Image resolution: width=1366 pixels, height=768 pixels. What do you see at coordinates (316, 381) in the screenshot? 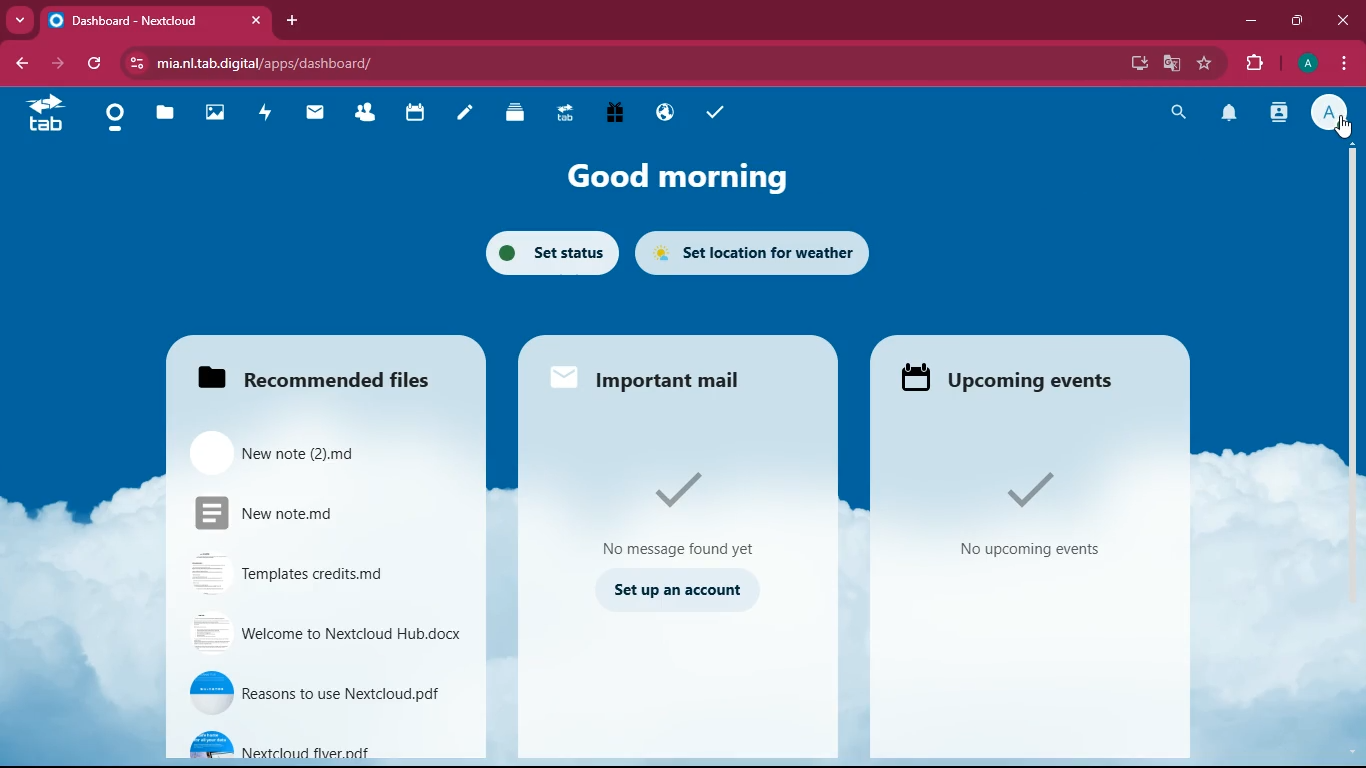
I see `Recommended files` at bounding box center [316, 381].